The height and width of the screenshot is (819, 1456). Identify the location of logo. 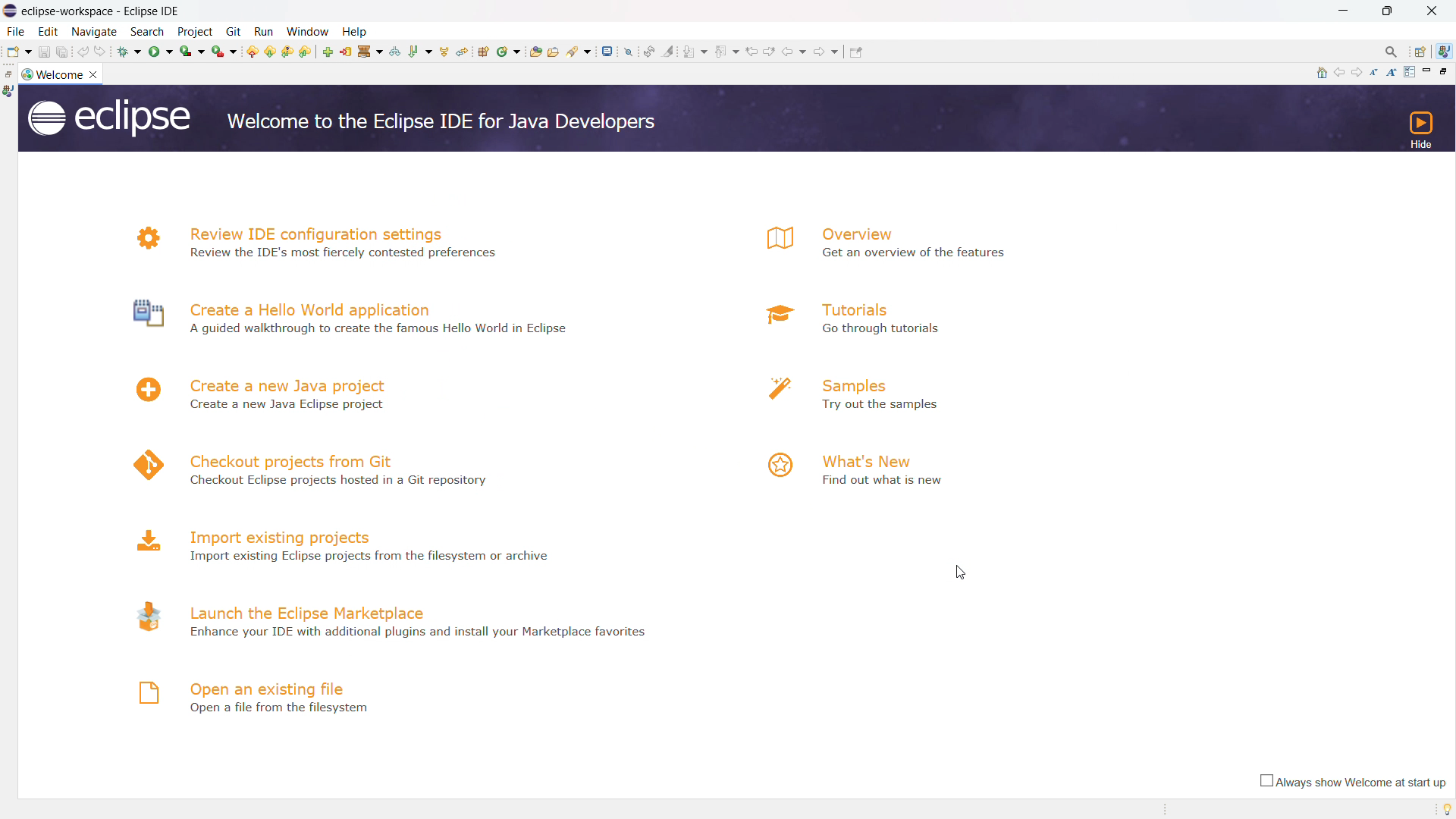
(777, 465).